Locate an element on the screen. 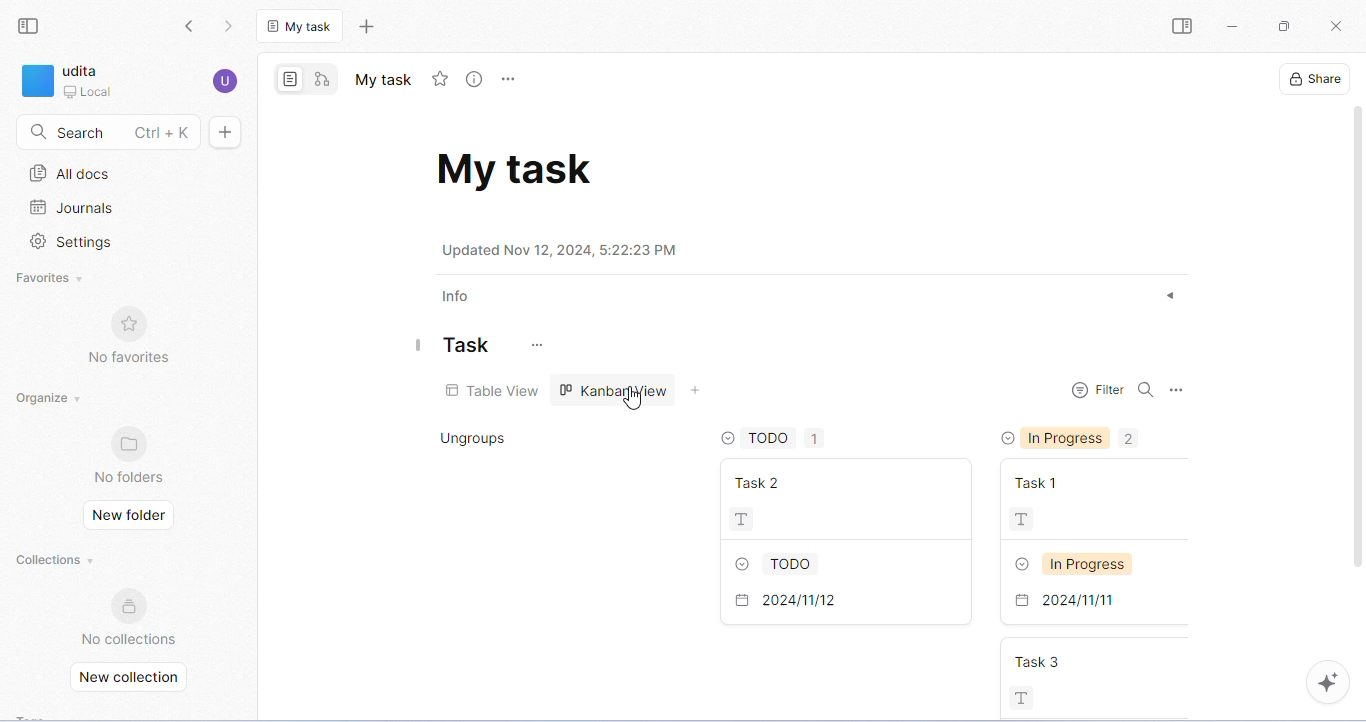 Image resolution: width=1366 pixels, height=722 pixels. maximize is located at coordinates (1285, 28).